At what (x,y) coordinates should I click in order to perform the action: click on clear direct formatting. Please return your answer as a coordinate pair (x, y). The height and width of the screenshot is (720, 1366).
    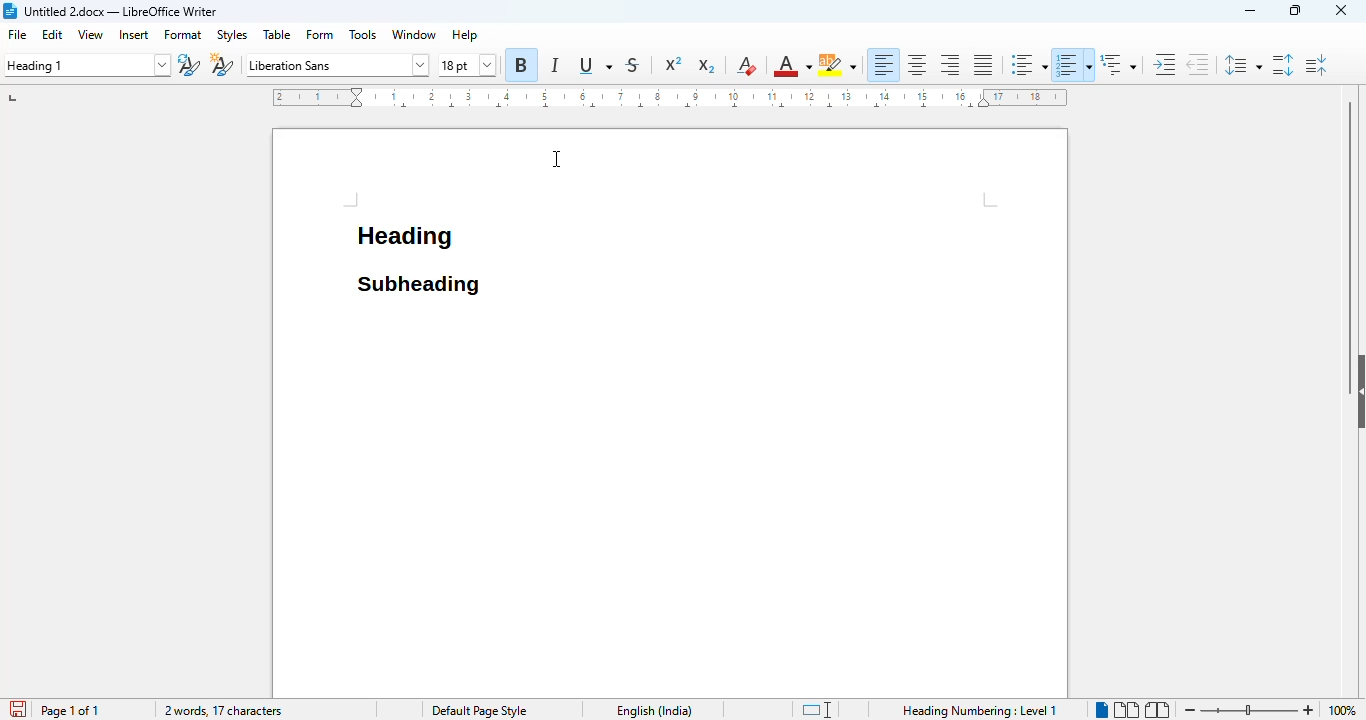
    Looking at the image, I should click on (745, 65).